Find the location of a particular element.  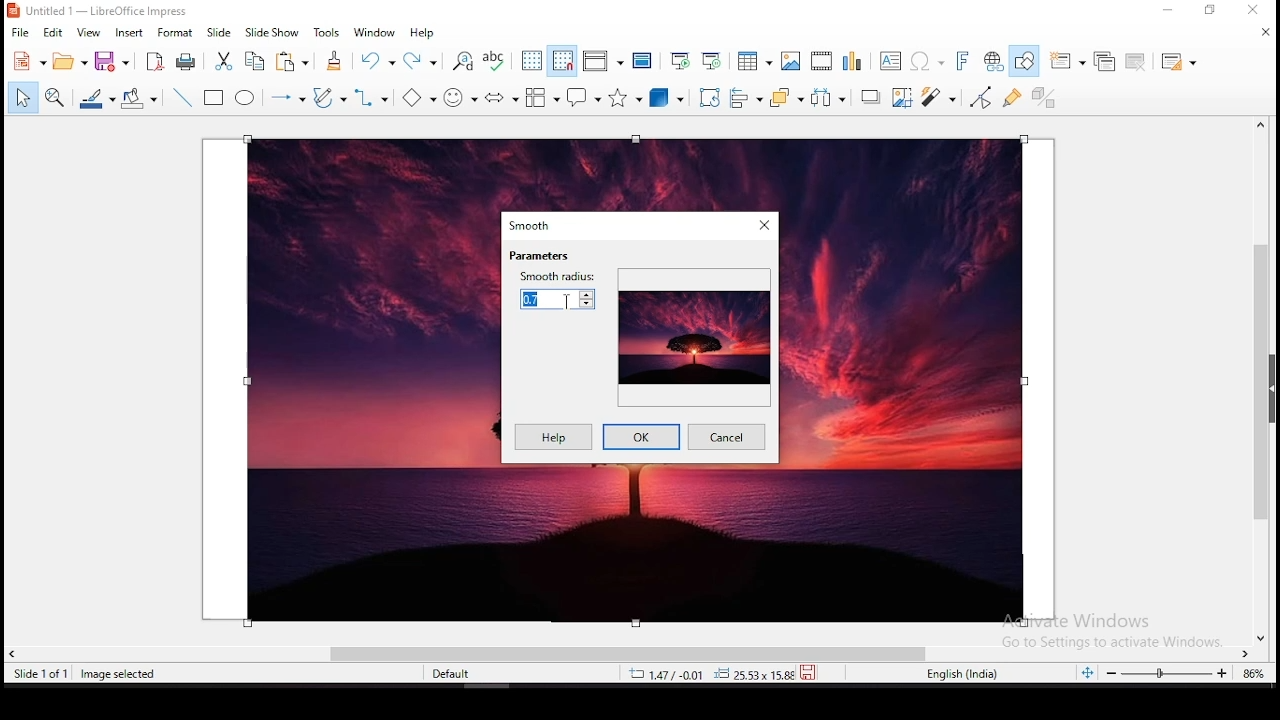

curves and polygons is located at coordinates (330, 98).